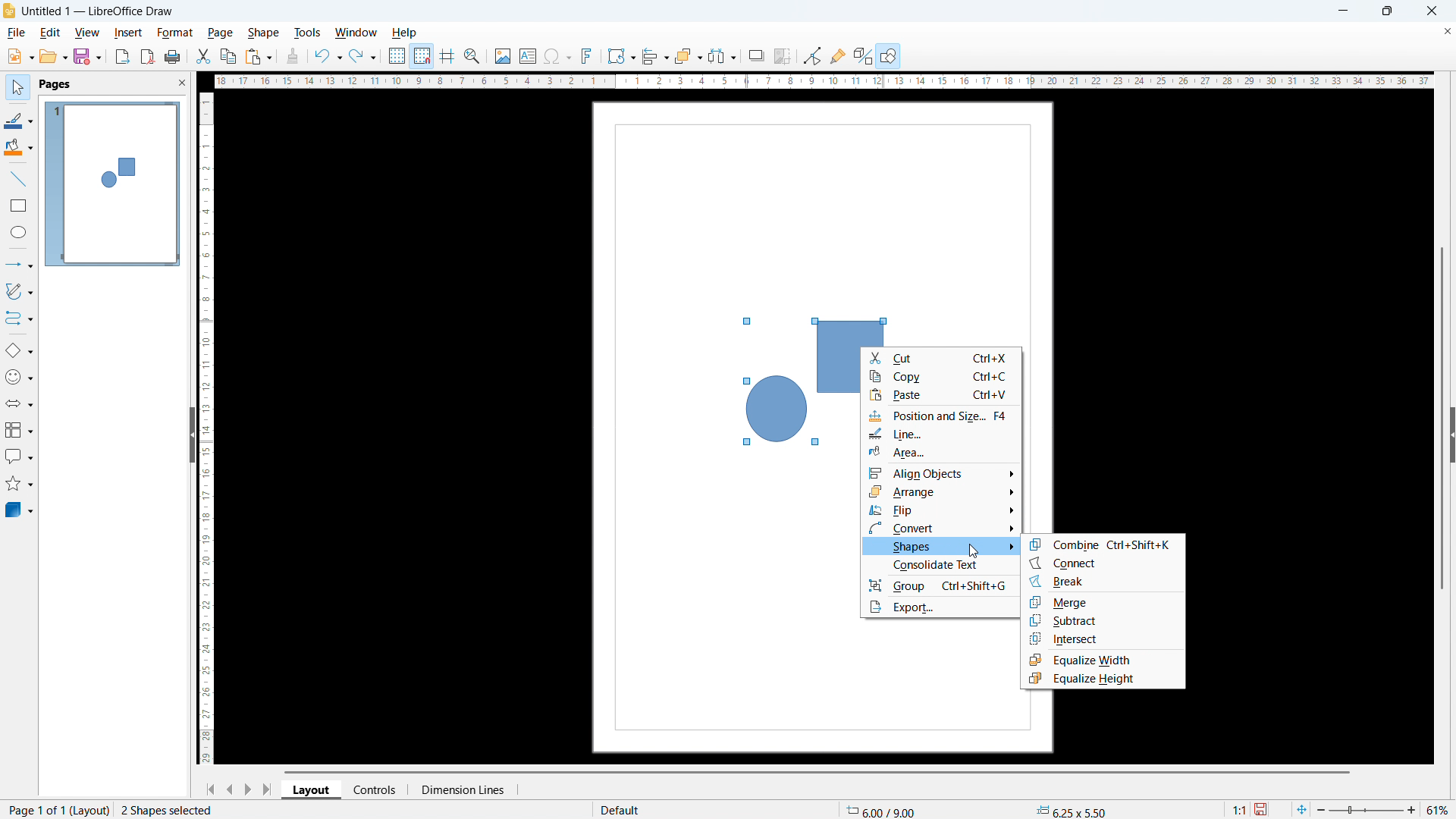  I want to click on insert textbox, so click(528, 55).